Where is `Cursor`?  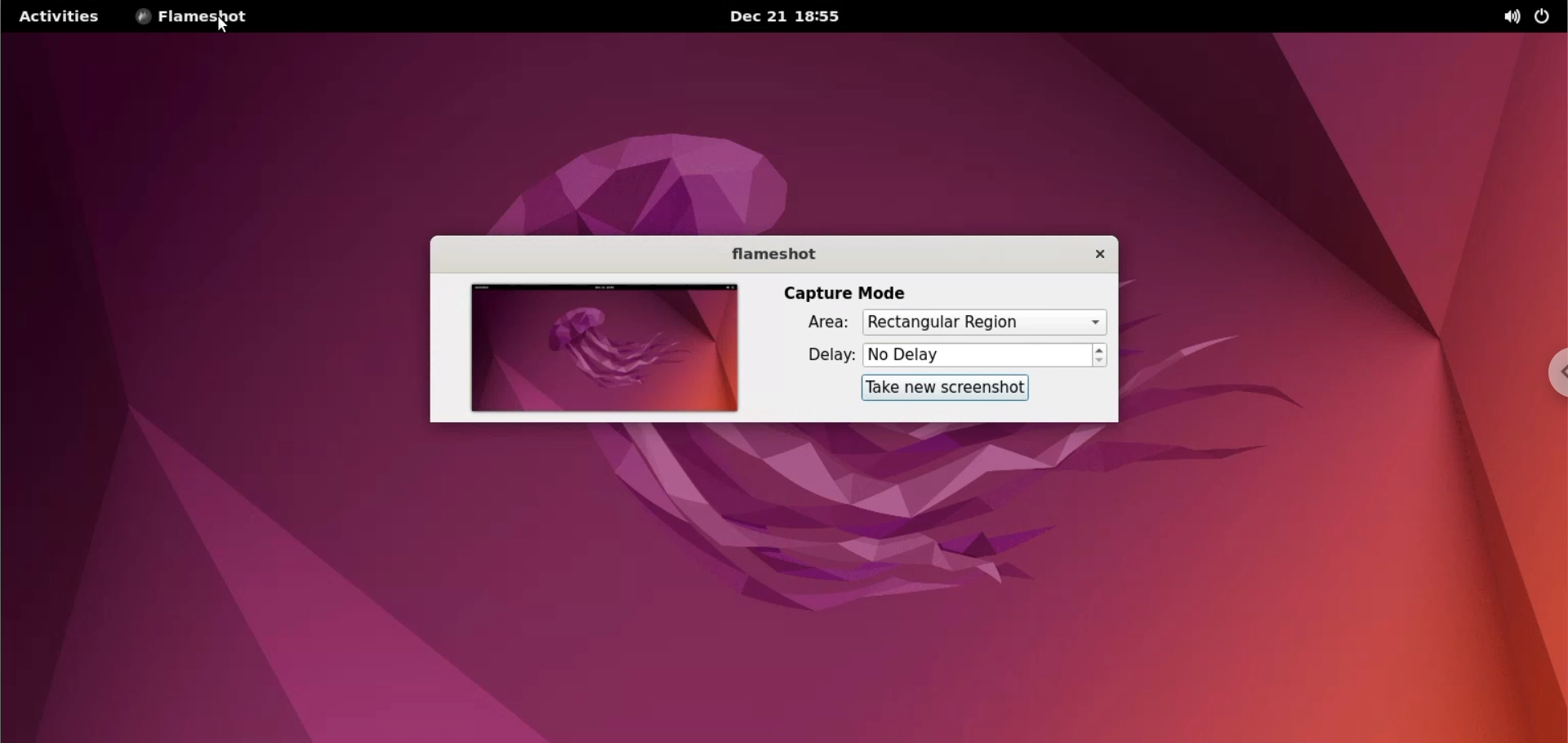
Cursor is located at coordinates (229, 28).